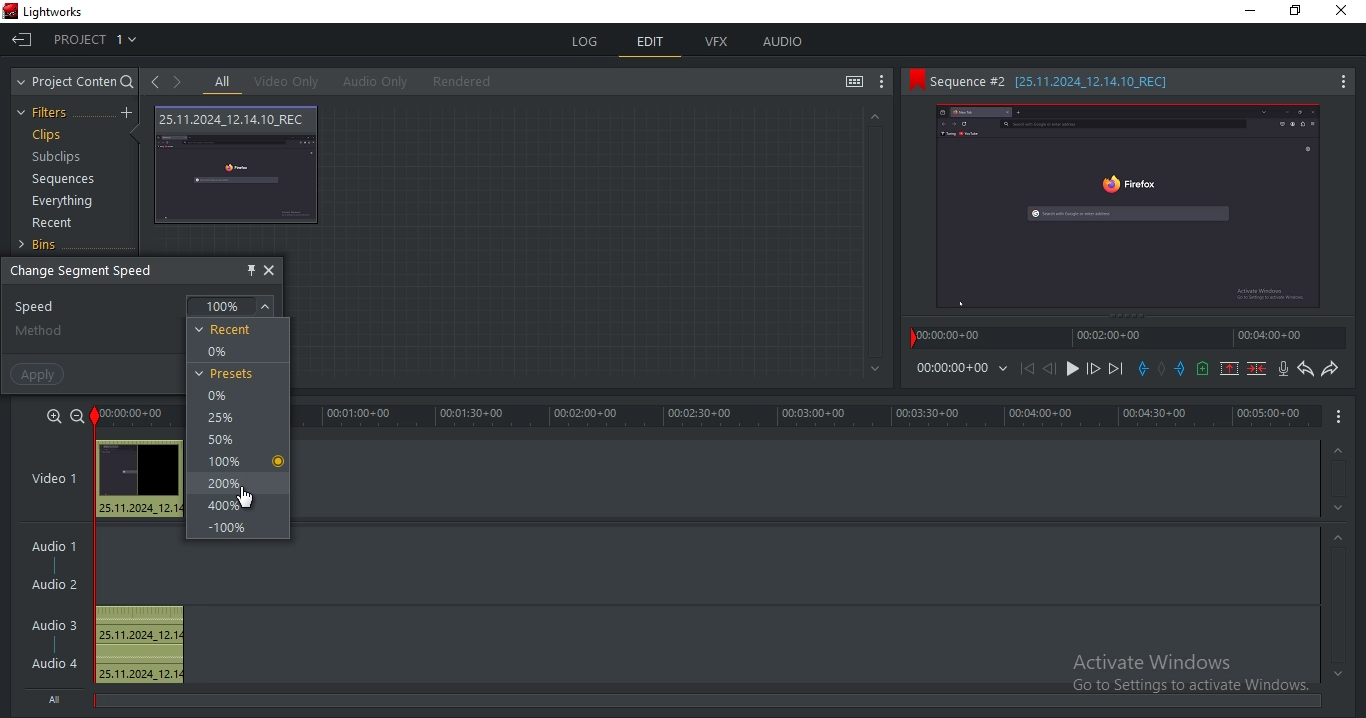  Describe the element at coordinates (232, 529) in the screenshot. I see `-100%` at that location.